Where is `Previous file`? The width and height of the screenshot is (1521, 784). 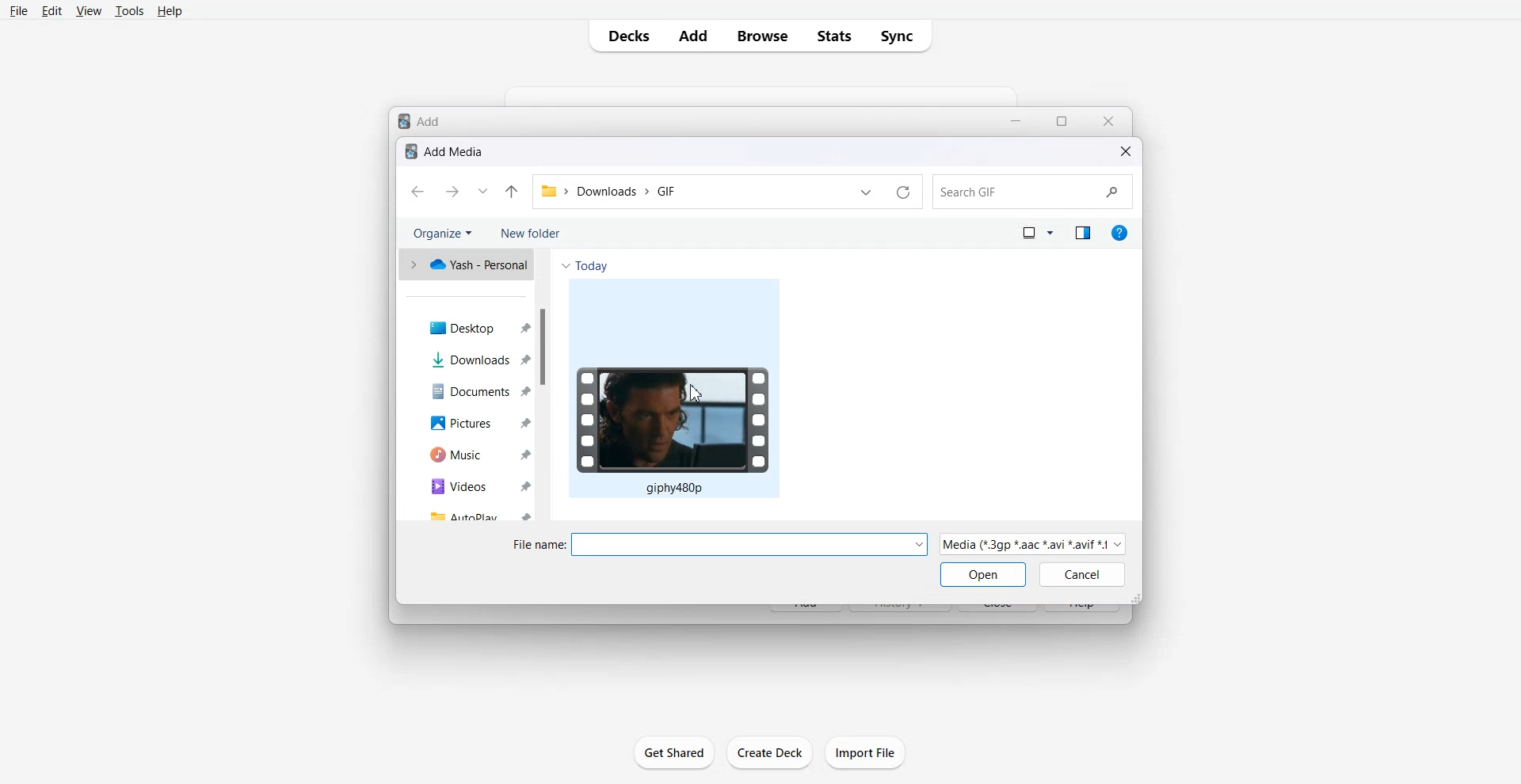
Previous file is located at coordinates (864, 192).